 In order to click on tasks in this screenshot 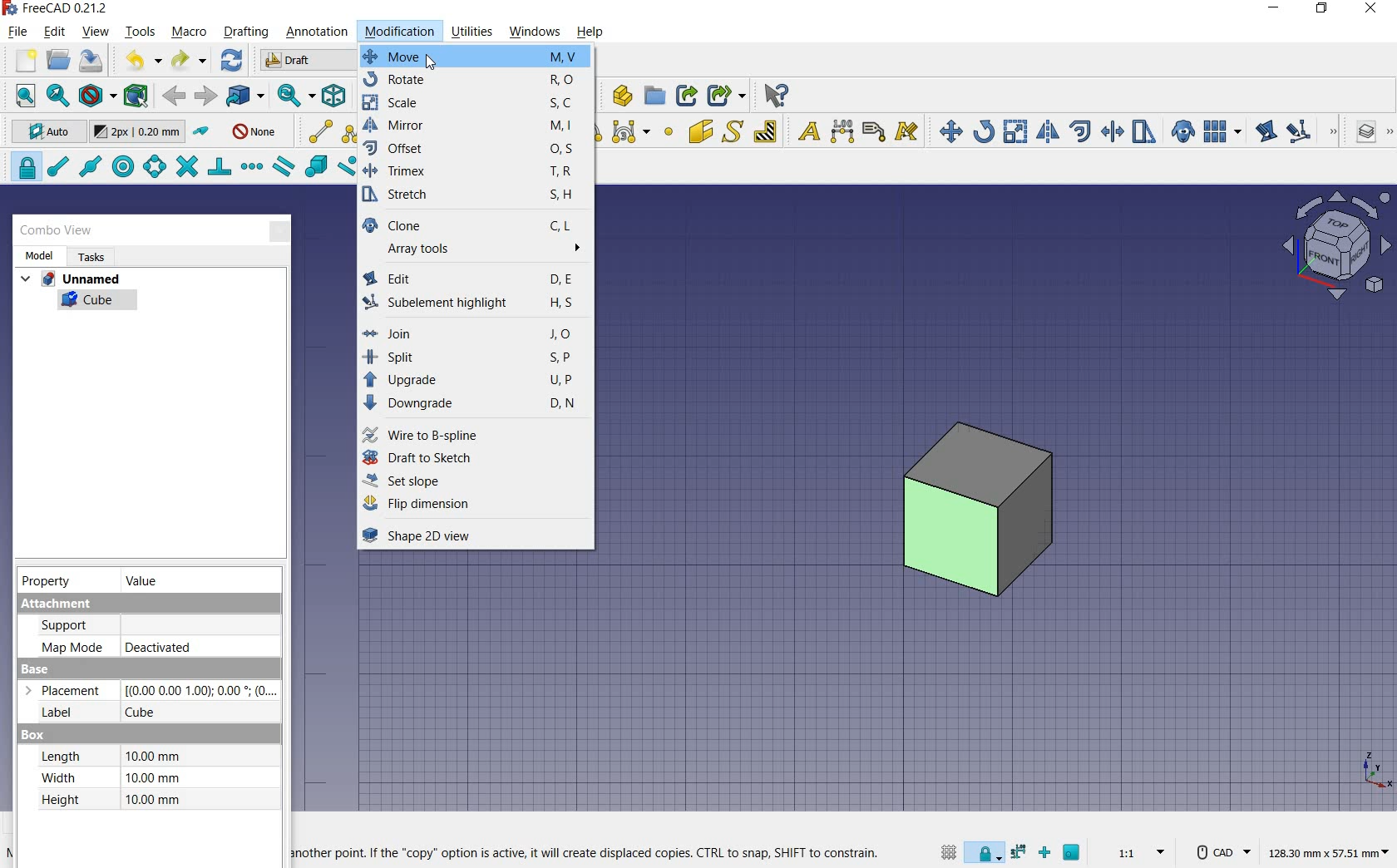, I will do `click(90, 257)`.